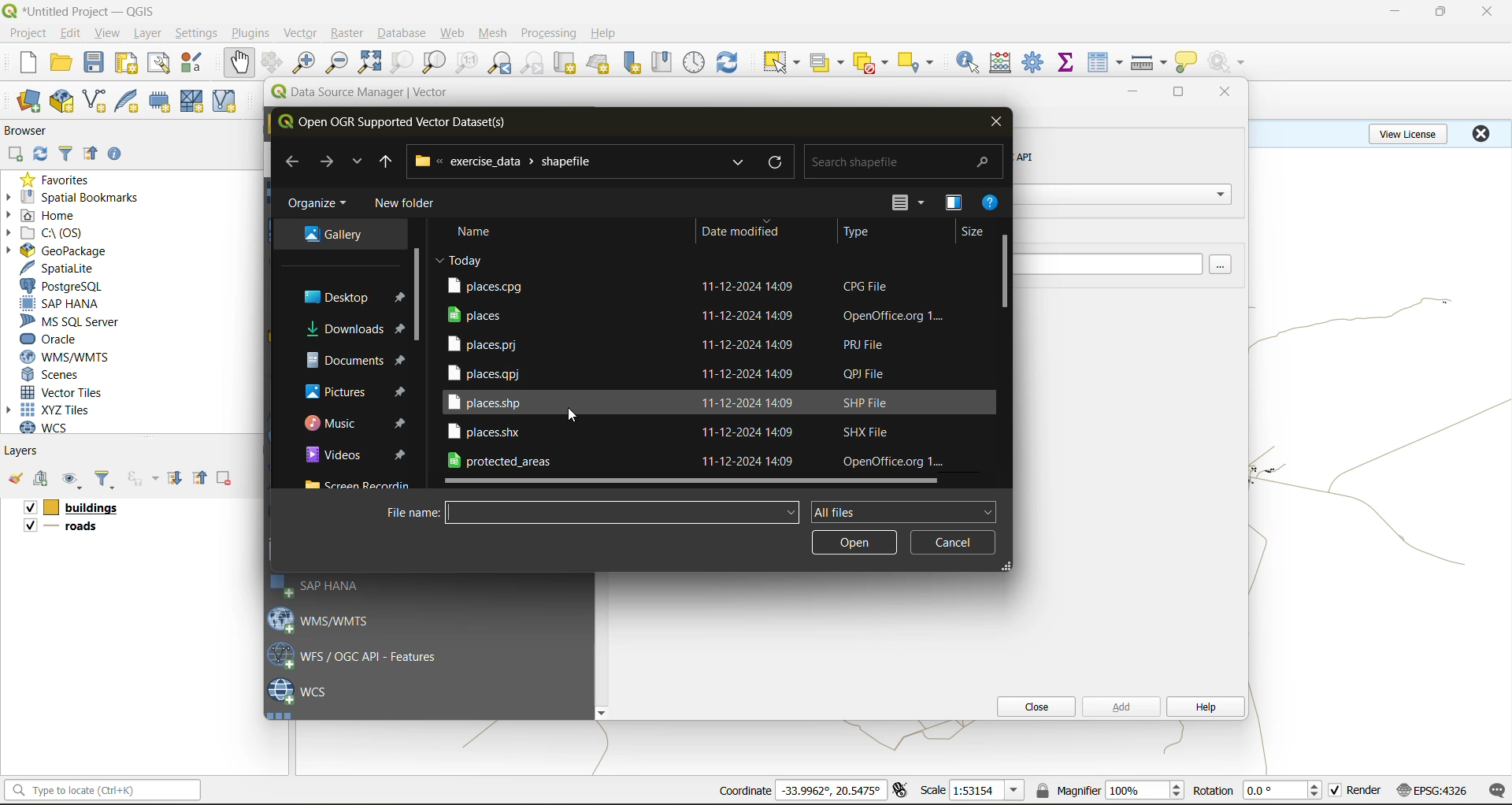 The height and width of the screenshot is (805, 1512). I want to click on tool box, so click(1035, 61).